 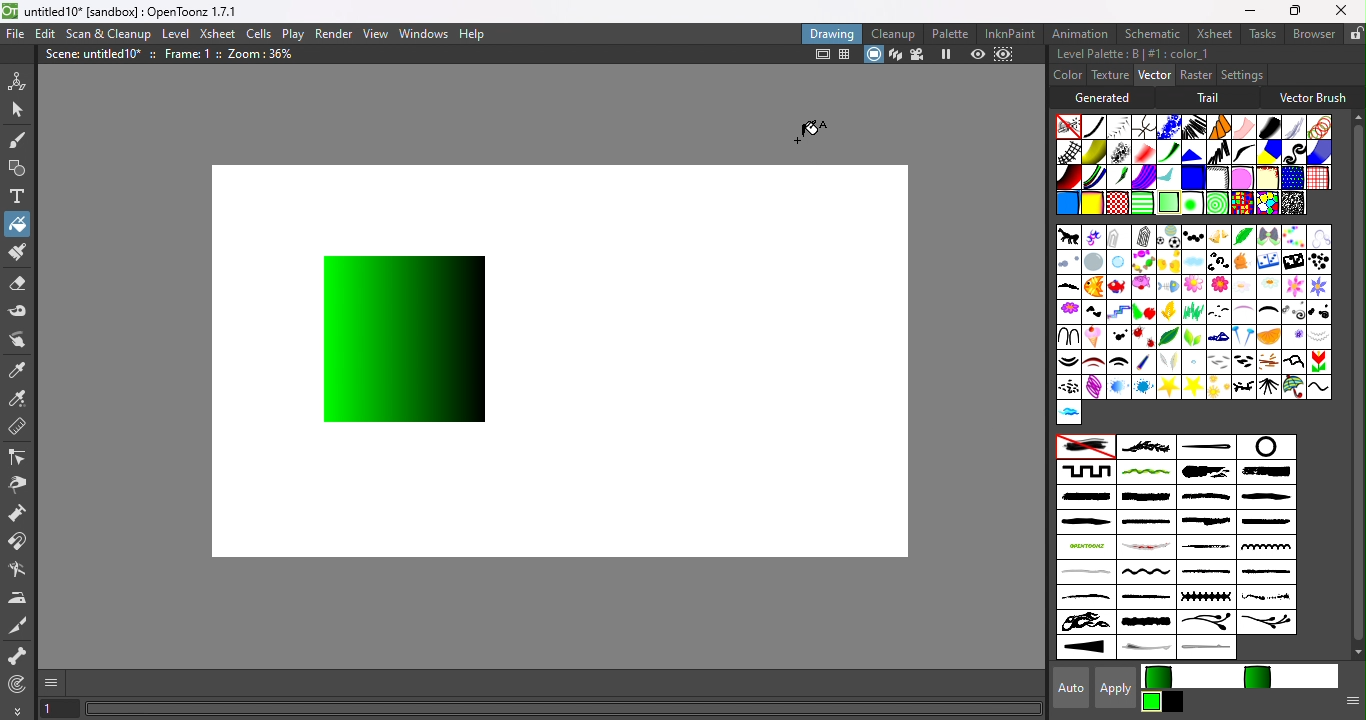 What do you see at coordinates (1291, 312) in the screenshot?
I see `hedge` at bounding box center [1291, 312].